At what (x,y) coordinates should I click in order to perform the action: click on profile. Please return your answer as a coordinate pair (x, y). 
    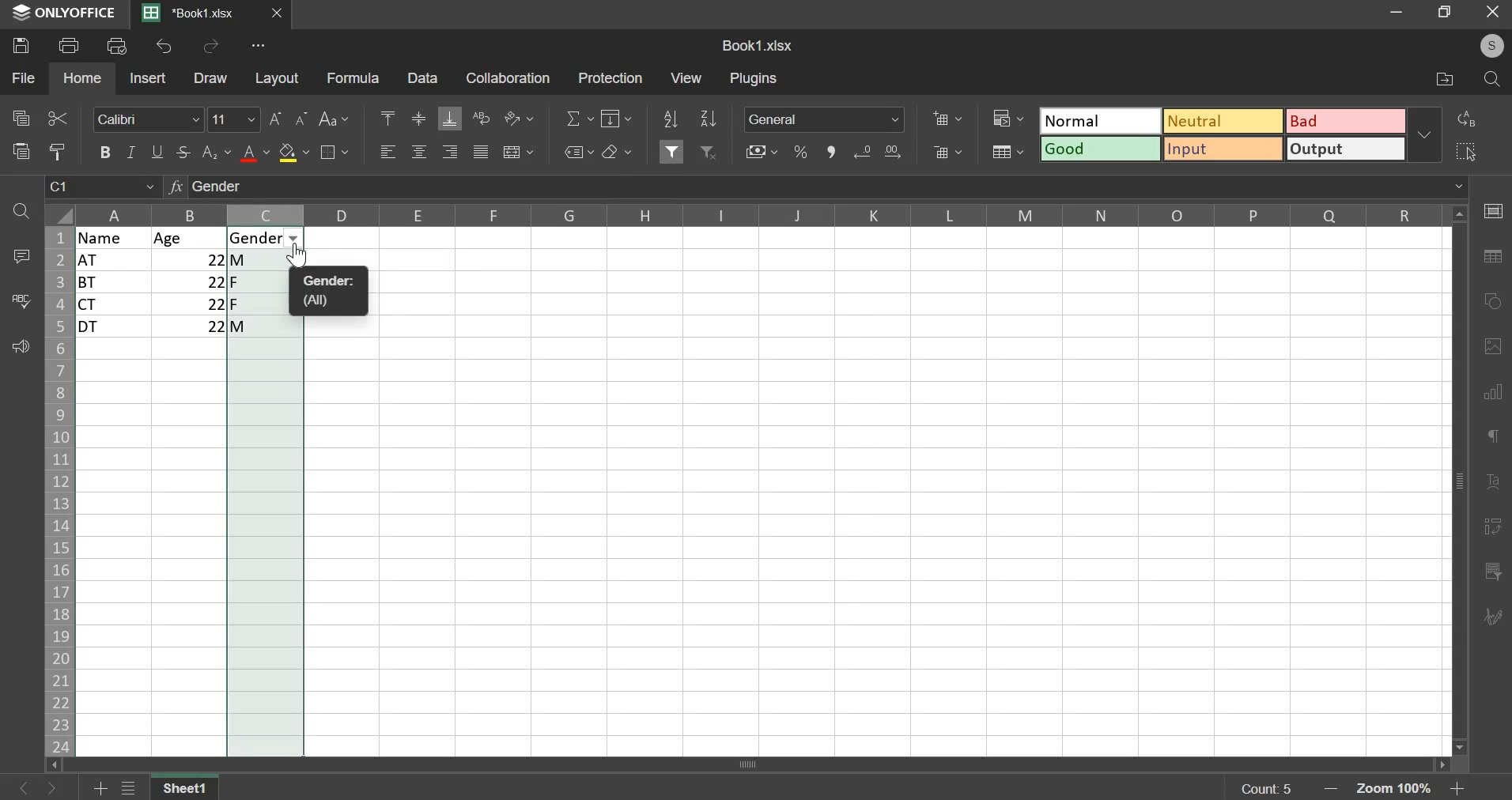
    Looking at the image, I should click on (1492, 47).